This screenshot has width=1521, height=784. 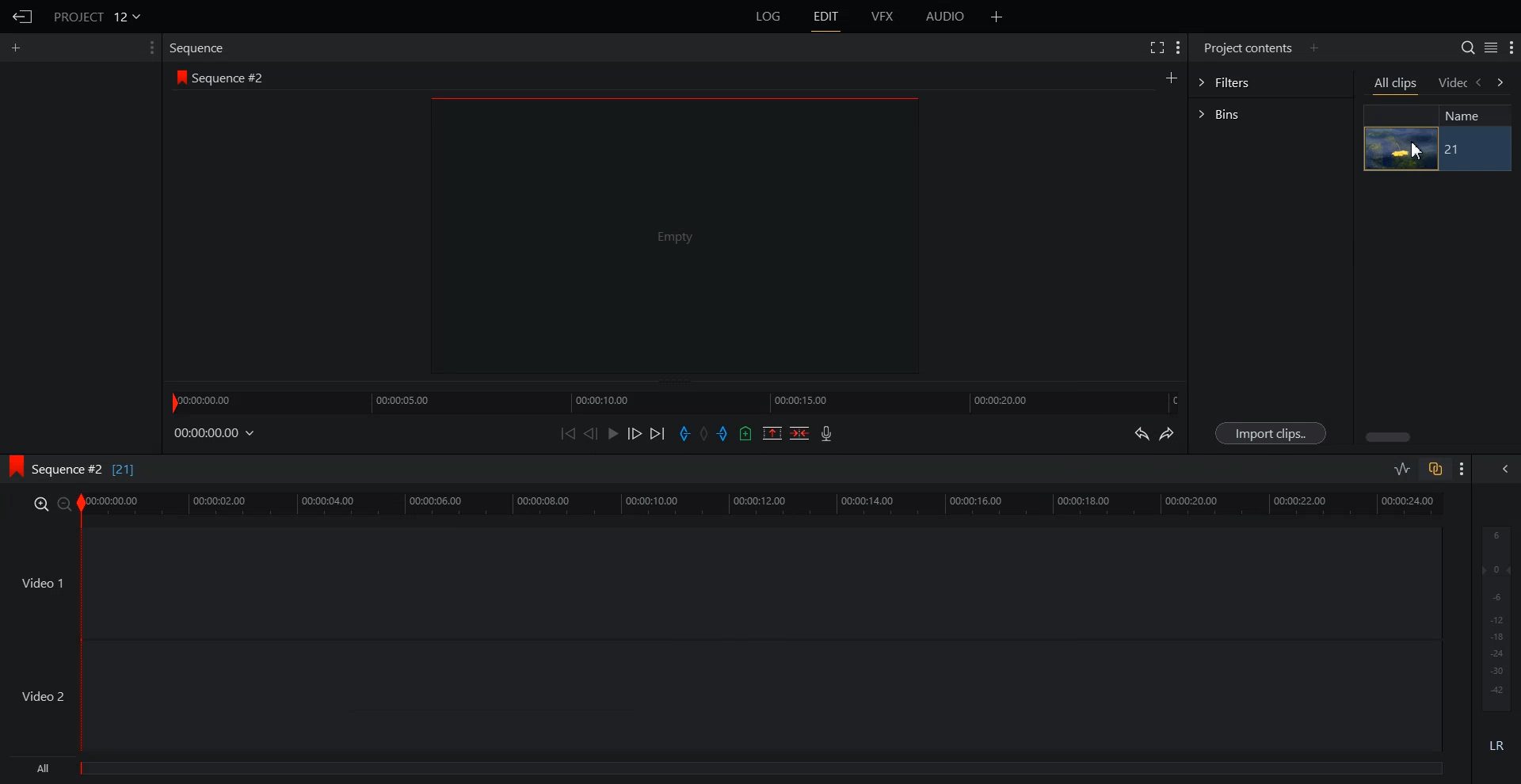 I want to click on Import Clips, so click(x=1271, y=432).